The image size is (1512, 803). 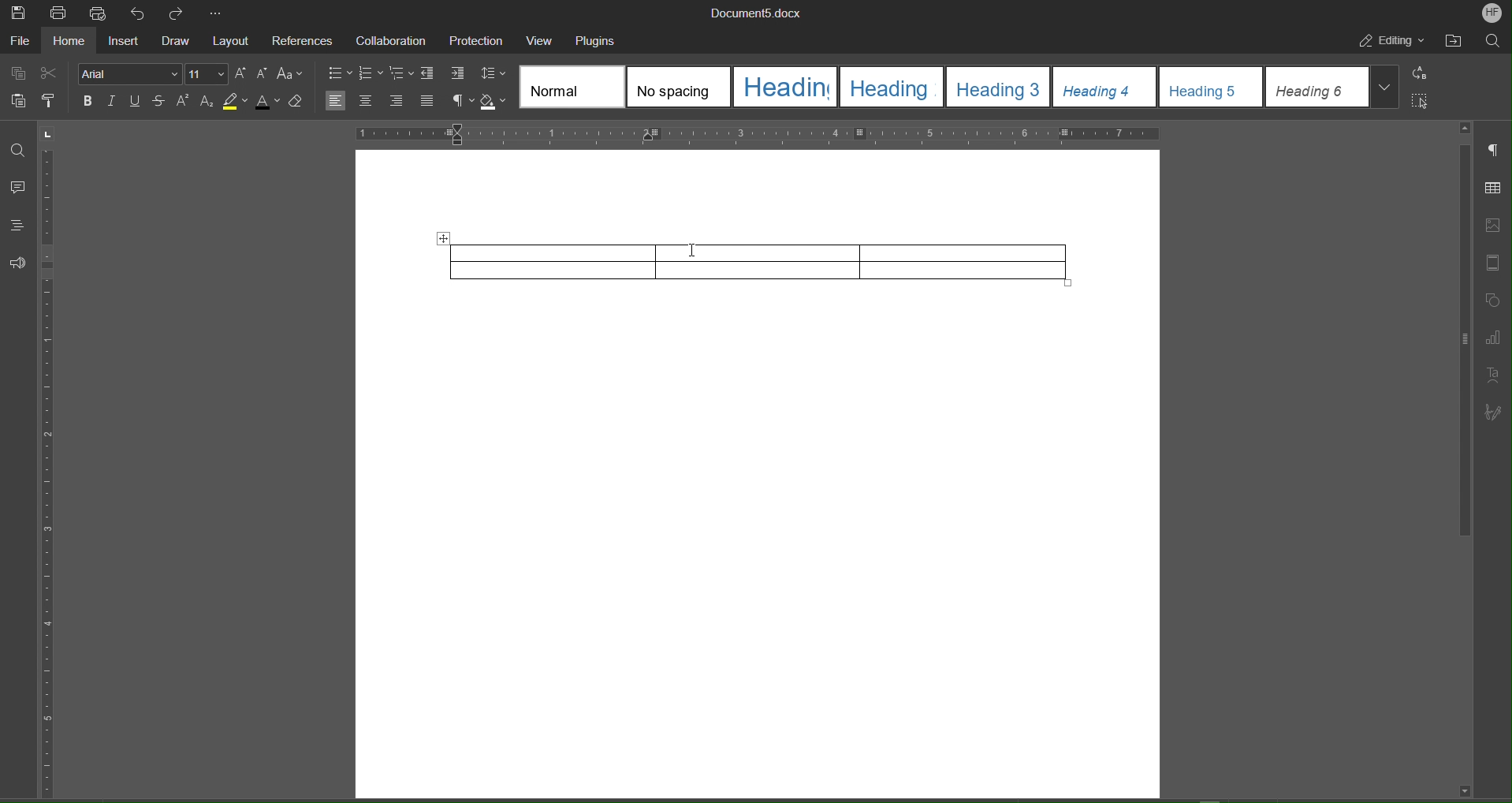 What do you see at coordinates (371, 75) in the screenshot?
I see `numbering` at bounding box center [371, 75].